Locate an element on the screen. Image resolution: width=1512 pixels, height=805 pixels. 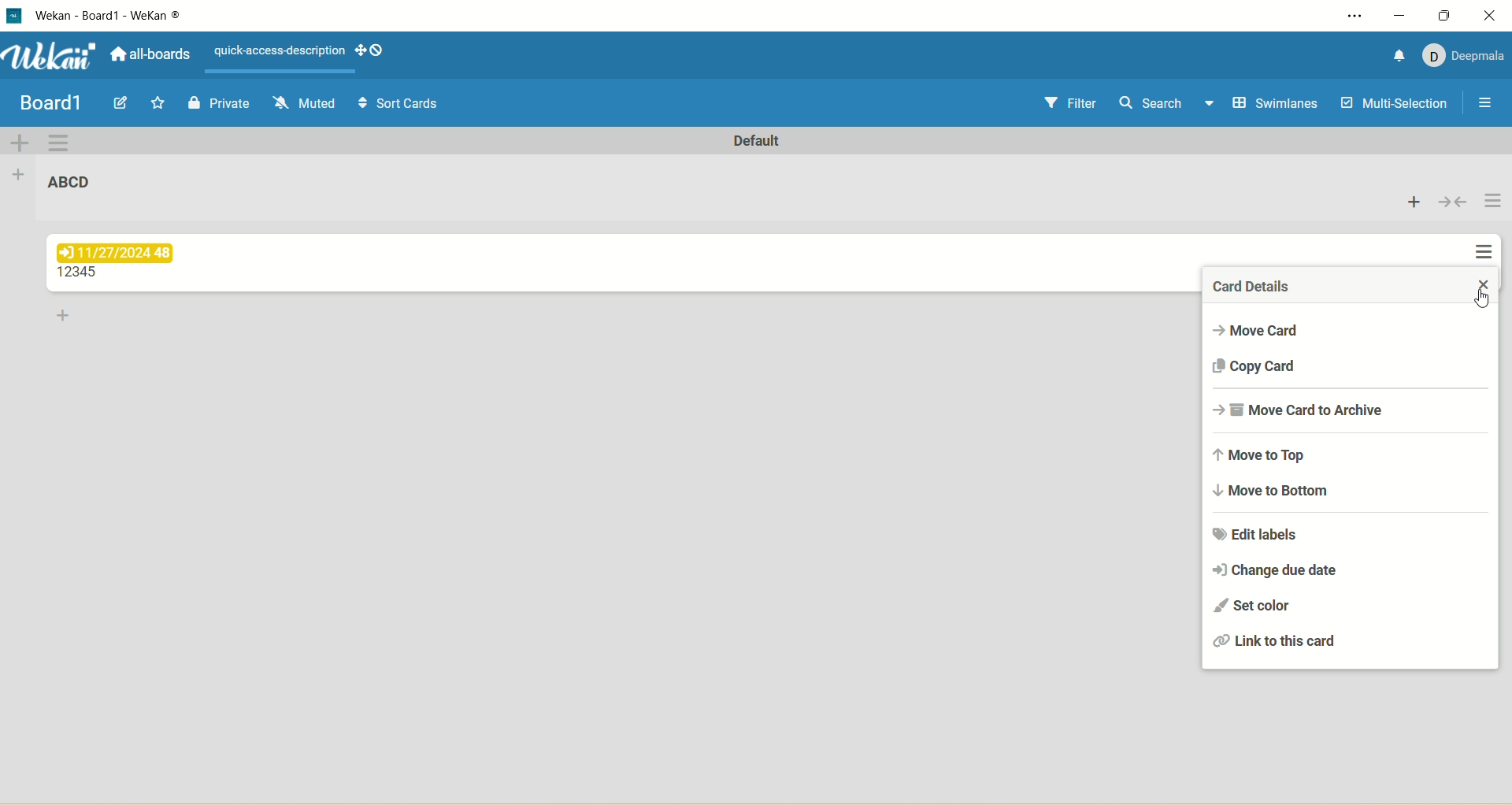
logo is located at coordinates (18, 17).